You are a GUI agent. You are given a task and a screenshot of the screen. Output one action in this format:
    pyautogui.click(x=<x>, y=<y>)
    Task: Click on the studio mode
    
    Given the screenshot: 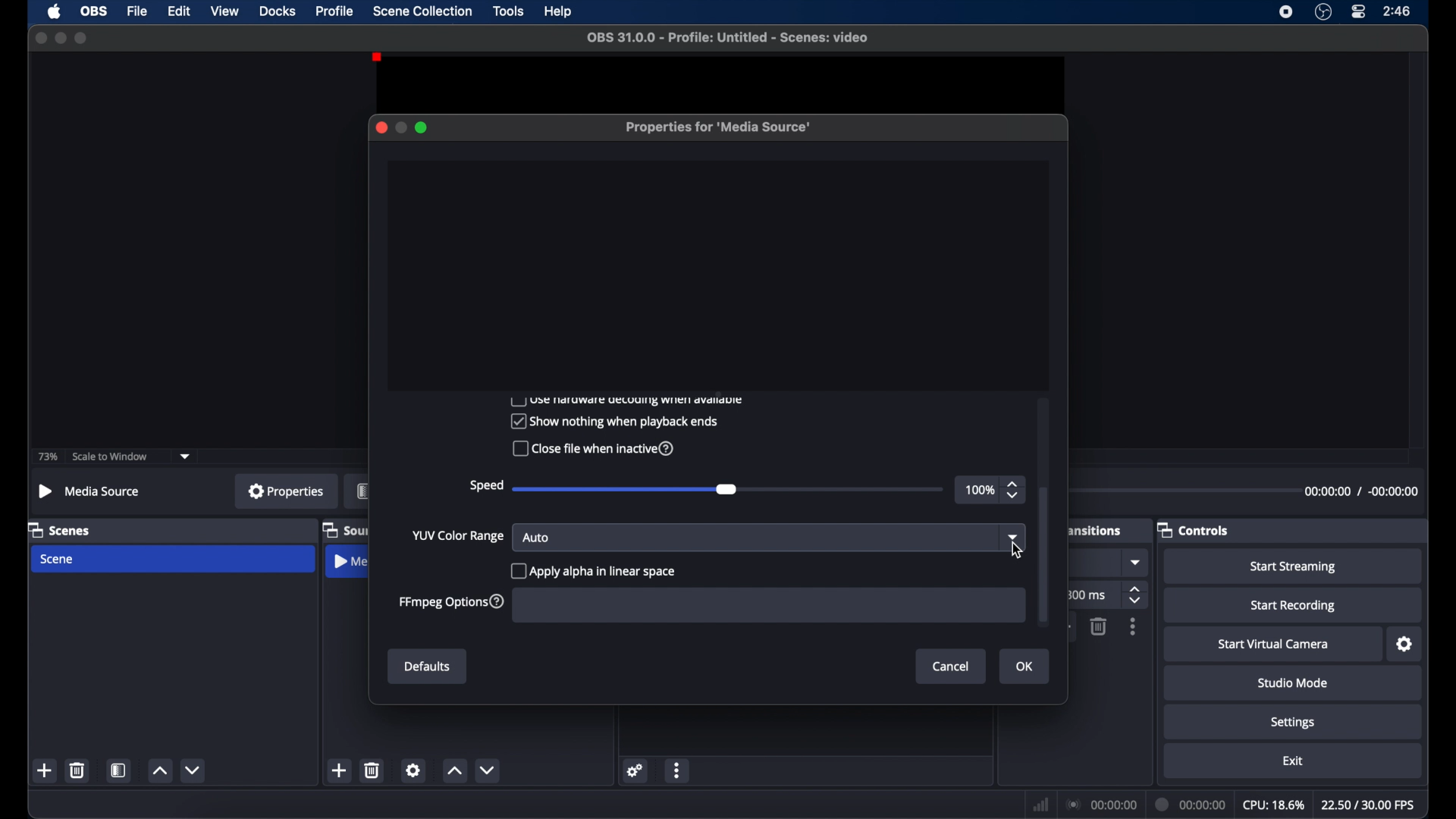 What is the action you would take?
    pyautogui.click(x=1293, y=682)
    